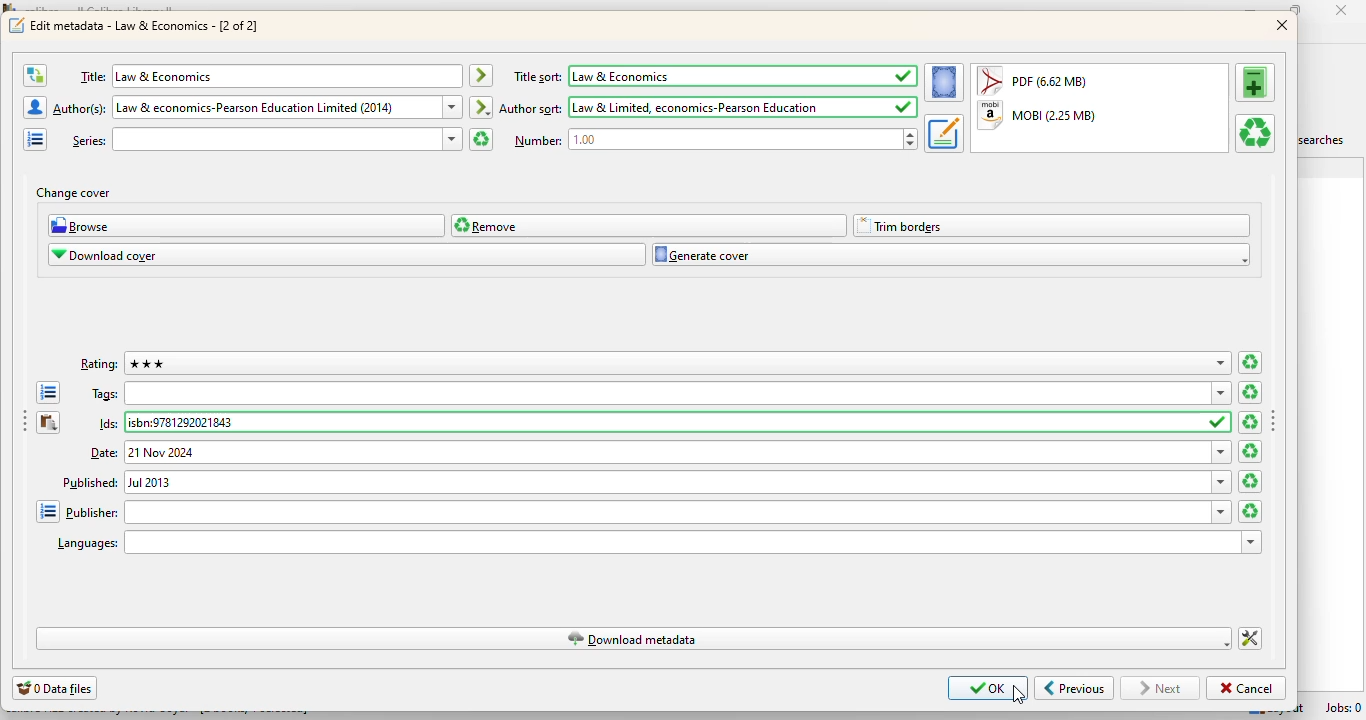  I want to click on languages: , so click(657, 542).